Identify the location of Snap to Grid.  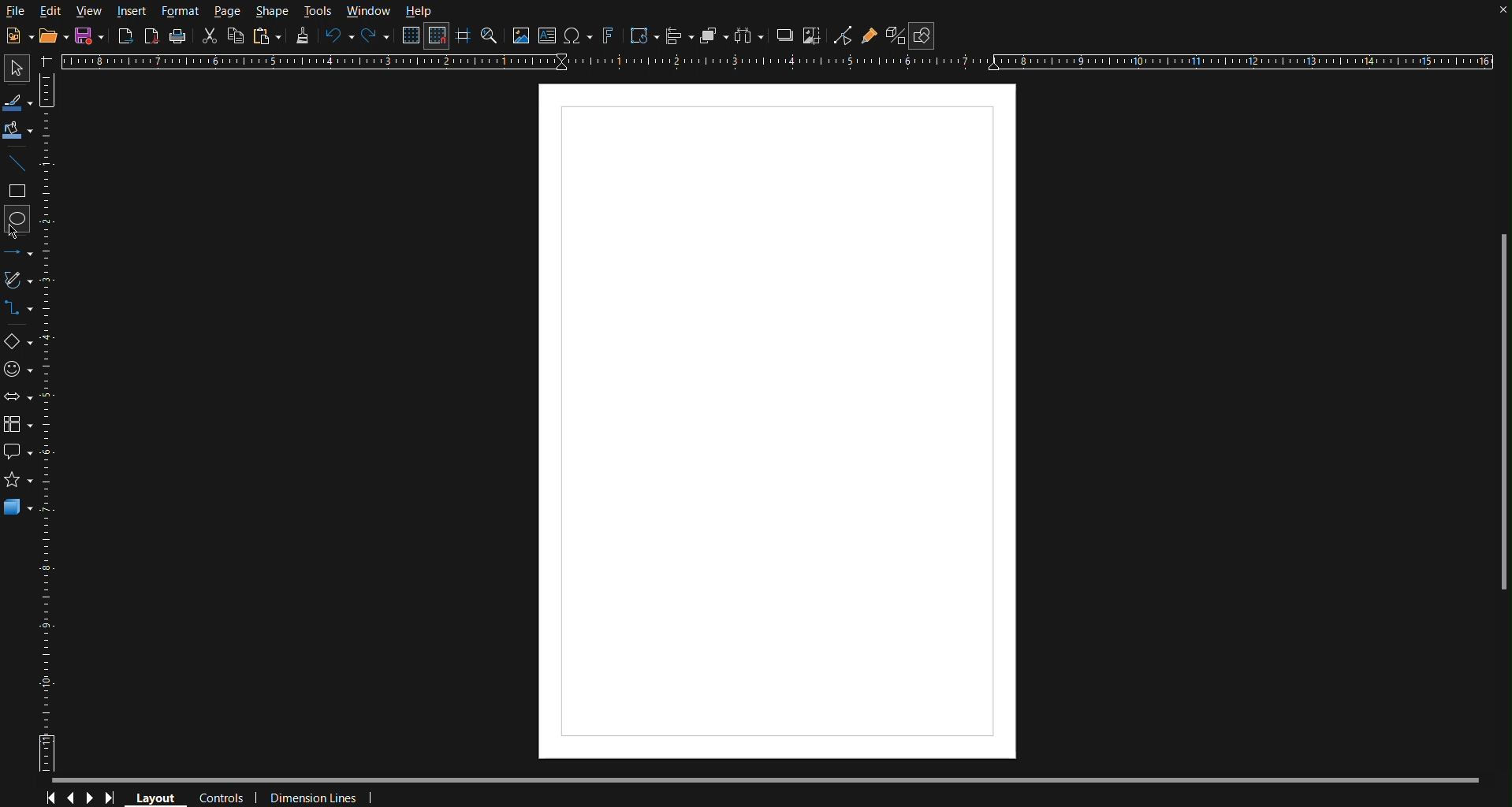
(438, 37).